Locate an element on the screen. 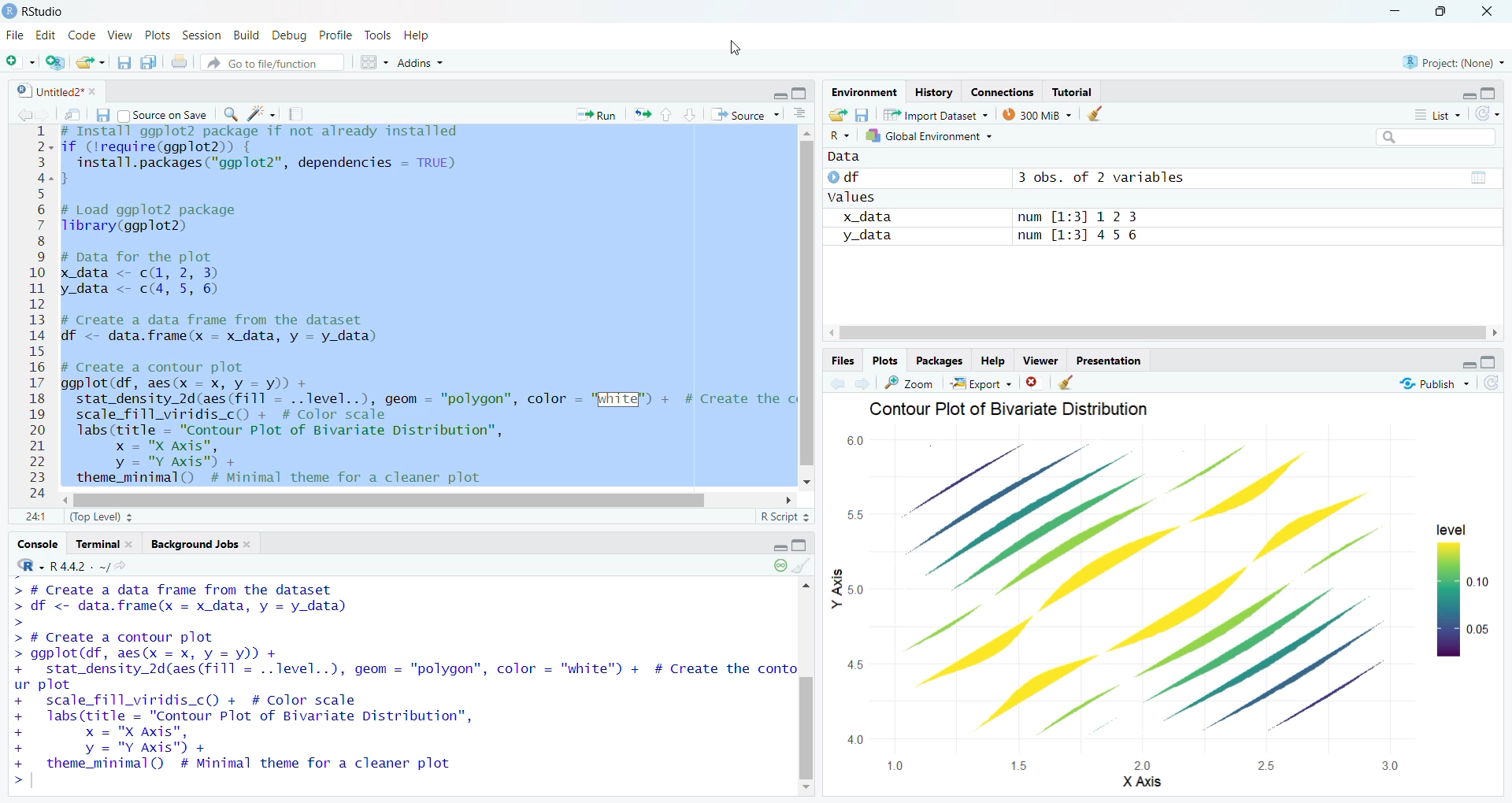  y_data is located at coordinates (875, 237).